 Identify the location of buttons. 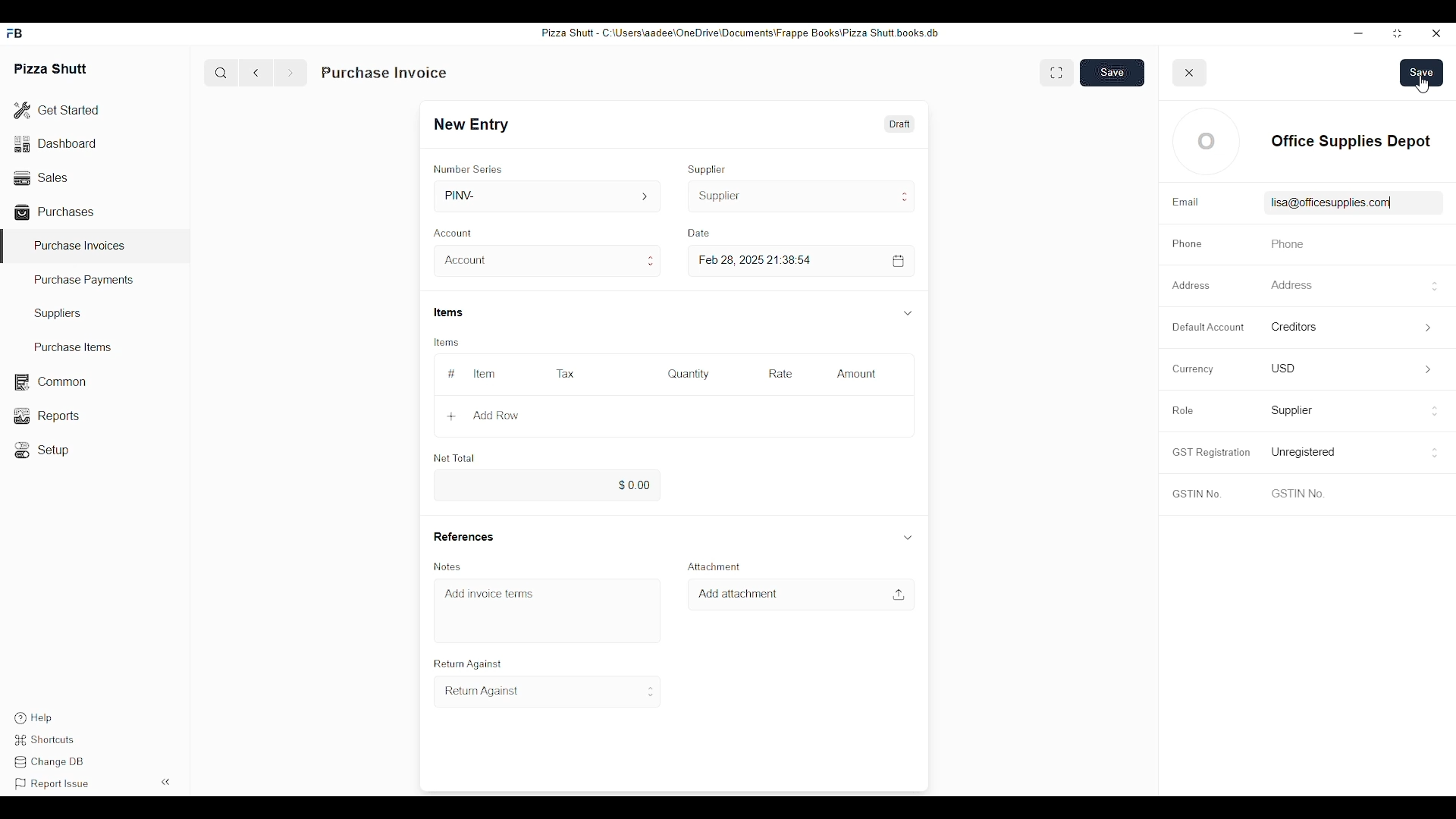
(1433, 453).